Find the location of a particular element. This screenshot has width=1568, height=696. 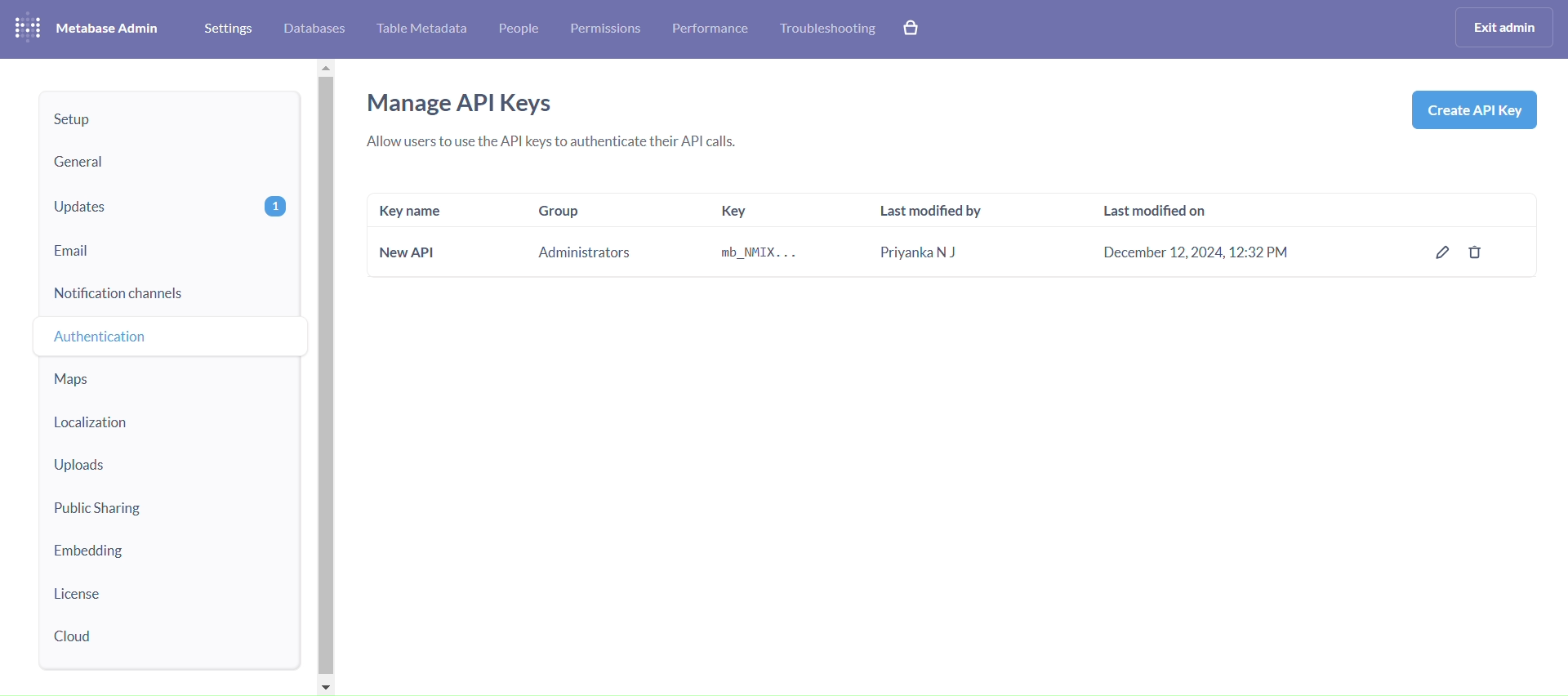

key name is located at coordinates (419, 237).